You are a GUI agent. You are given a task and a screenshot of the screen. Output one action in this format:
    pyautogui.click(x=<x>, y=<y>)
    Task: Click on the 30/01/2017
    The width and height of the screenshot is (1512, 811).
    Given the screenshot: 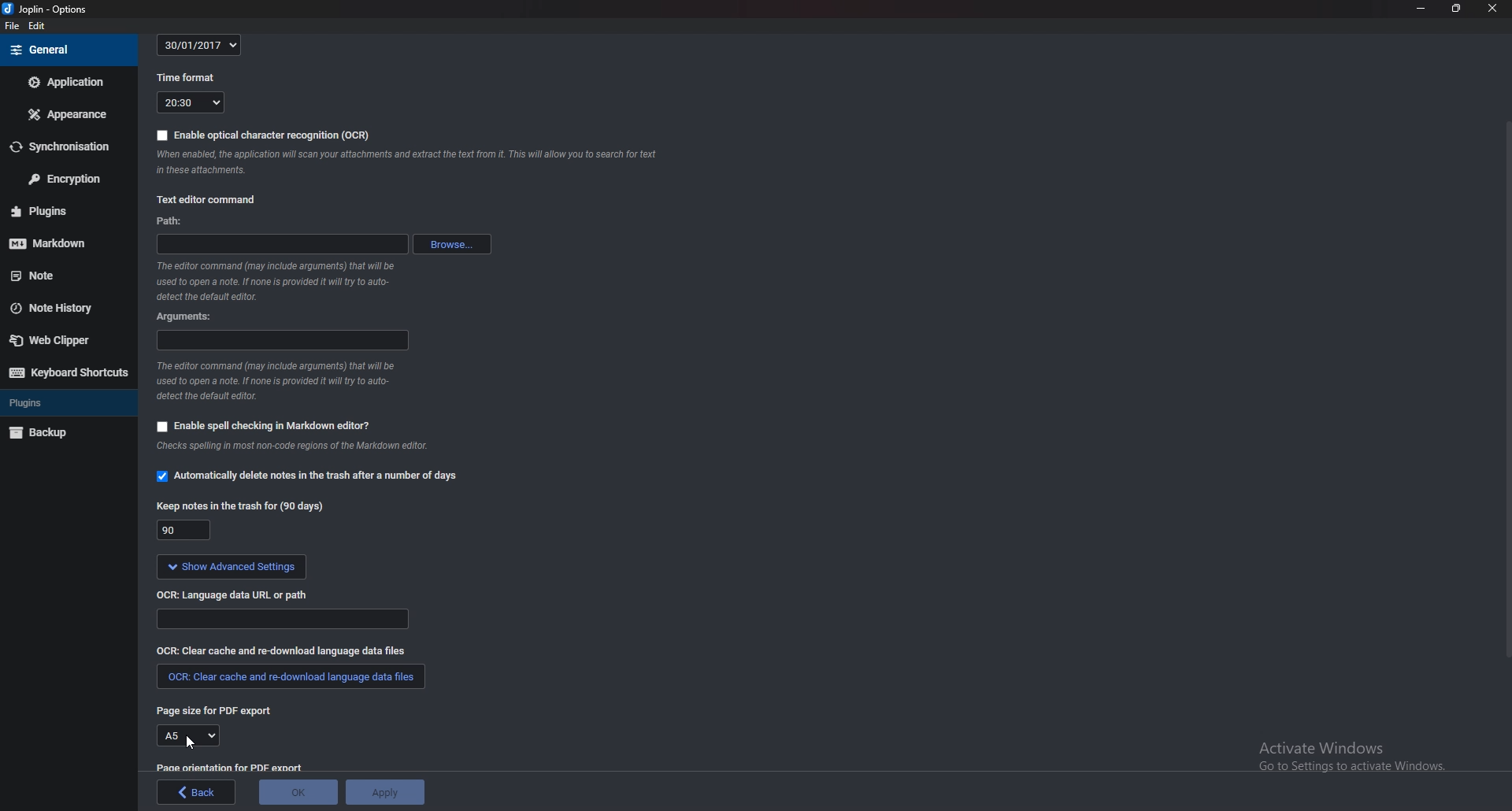 What is the action you would take?
    pyautogui.click(x=198, y=46)
    